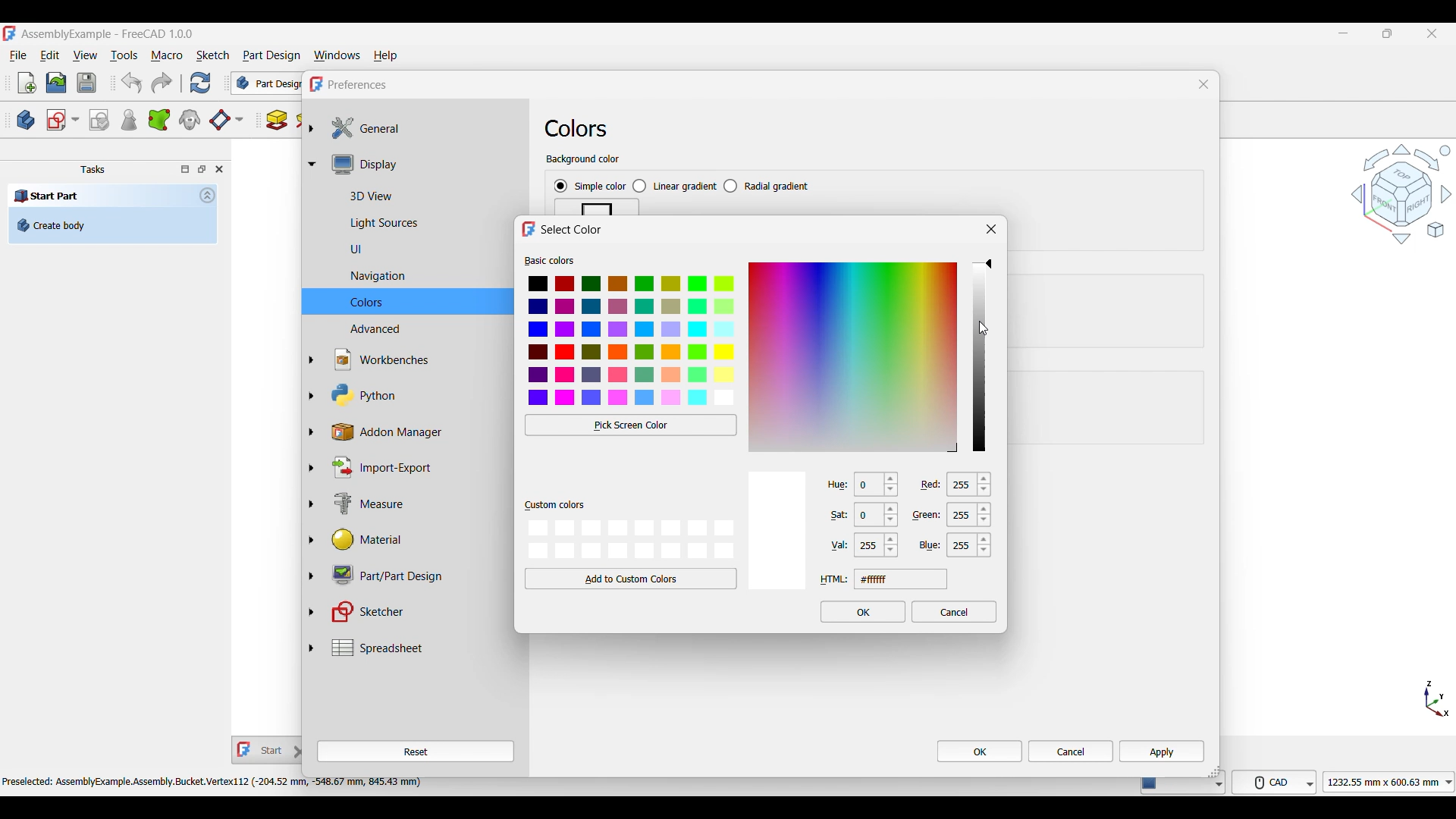  I want to click on cursor, so click(986, 329).